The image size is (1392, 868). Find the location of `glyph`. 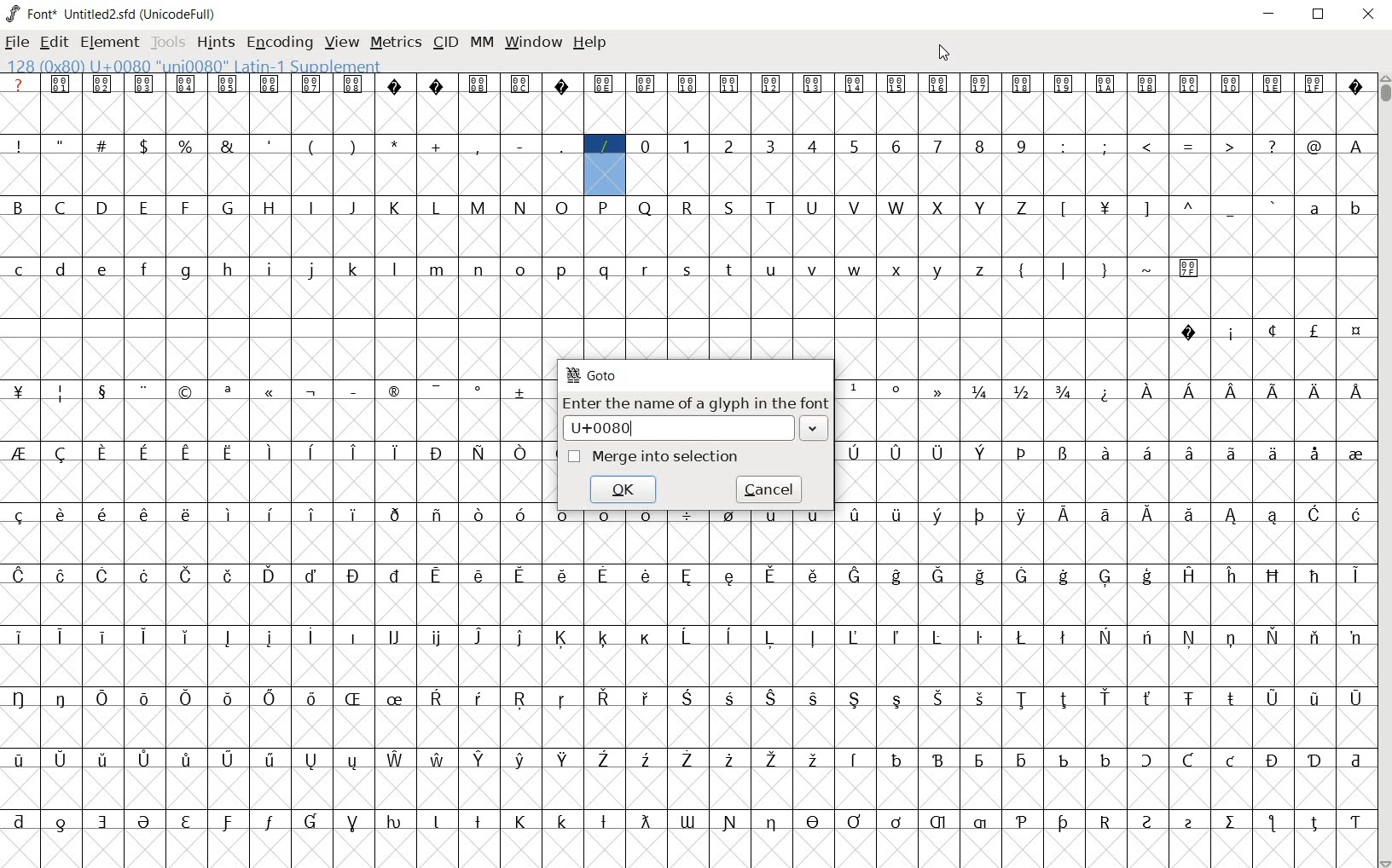

glyph is located at coordinates (1232, 392).